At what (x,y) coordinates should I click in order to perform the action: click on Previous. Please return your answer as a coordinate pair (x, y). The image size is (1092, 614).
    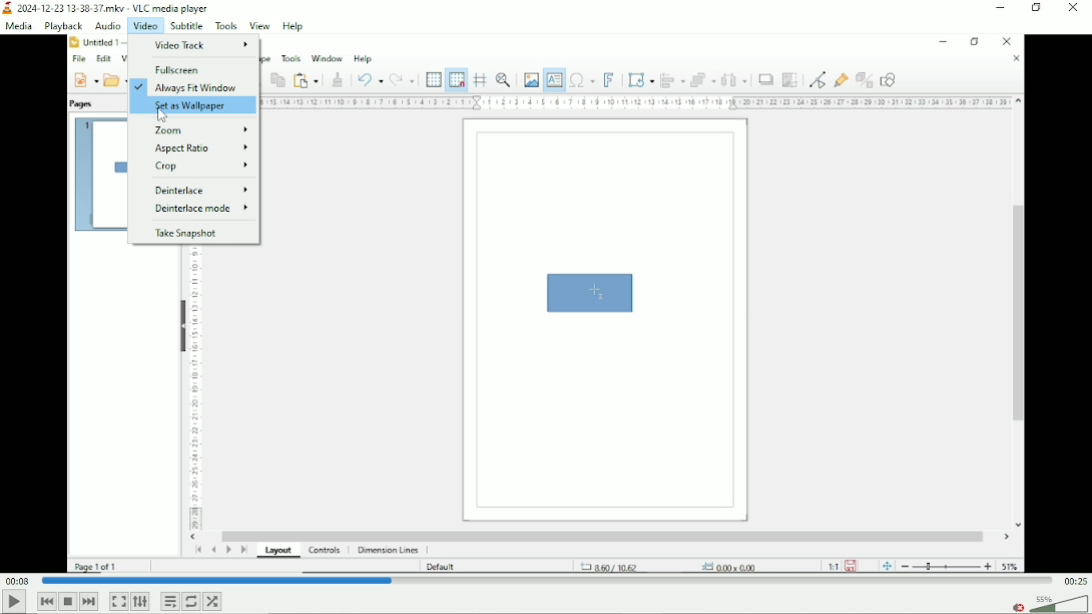
    Looking at the image, I should click on (45, 601).